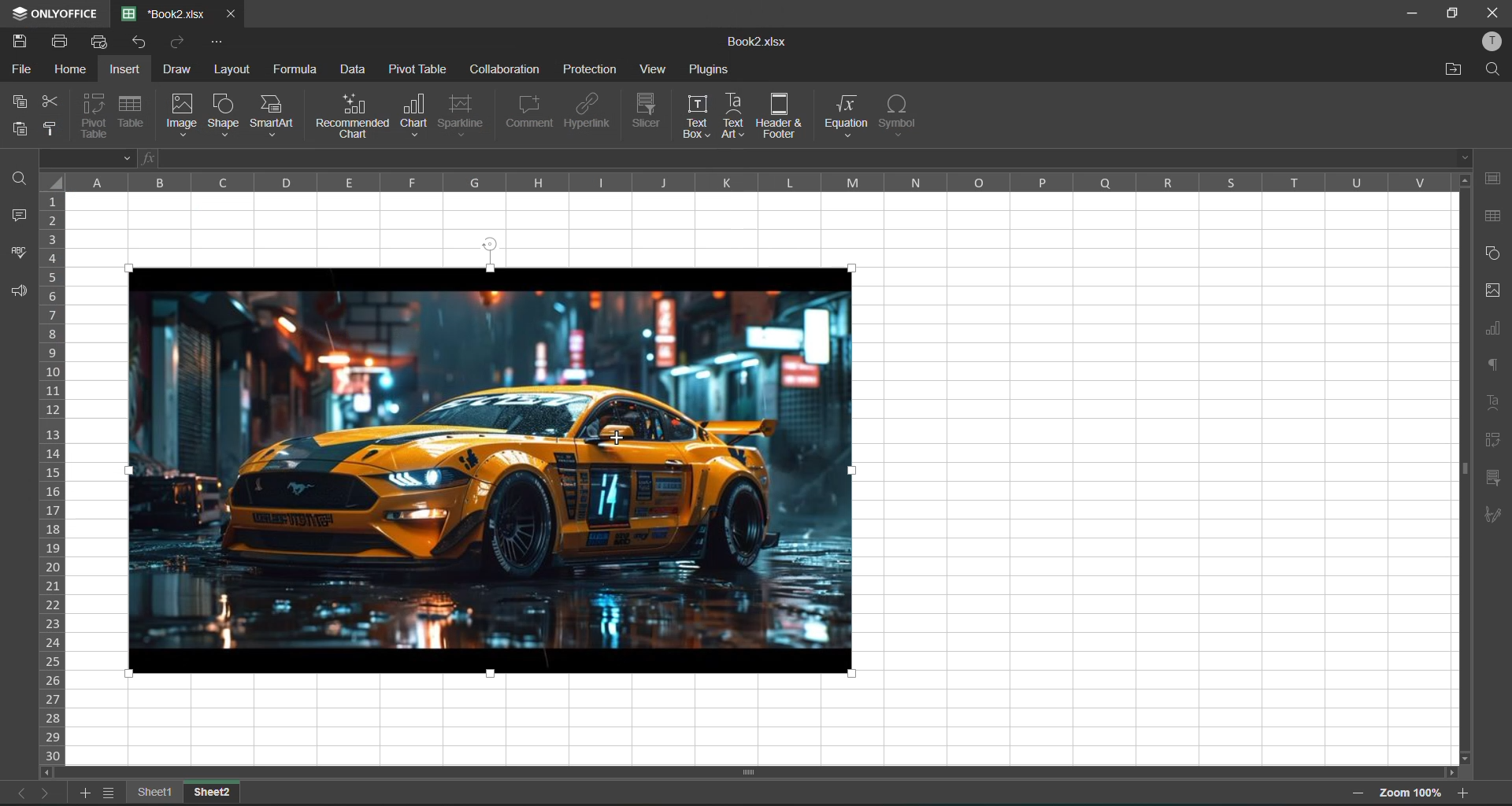 This screenshot has height=806, width=1512. What do you see at coordinates (160, 791) in the screenshot?
I see `sheet names` at bounding box center [160, 791].